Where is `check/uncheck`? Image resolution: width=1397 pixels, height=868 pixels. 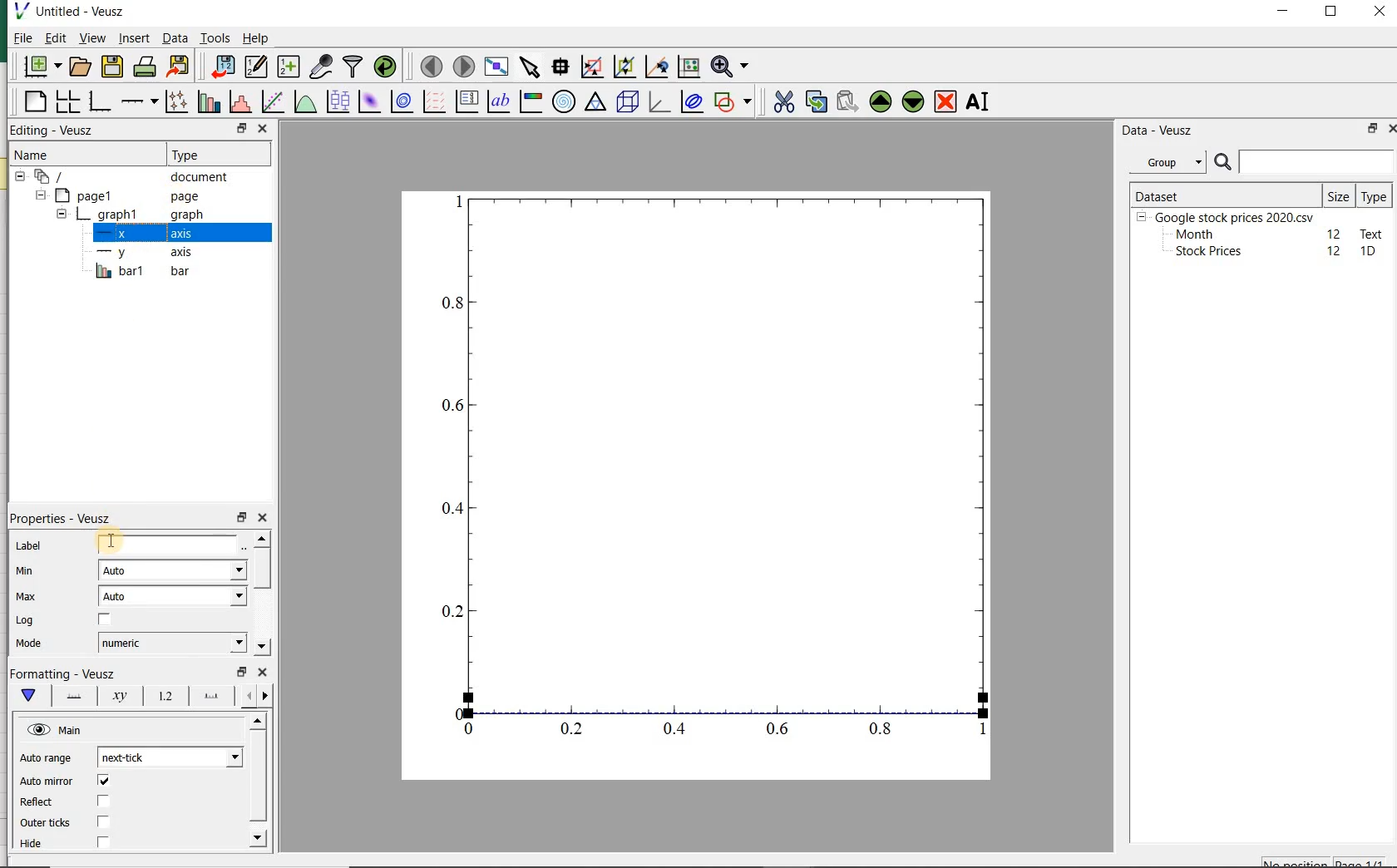 check/uncheck is located at coordinates (104, 622).